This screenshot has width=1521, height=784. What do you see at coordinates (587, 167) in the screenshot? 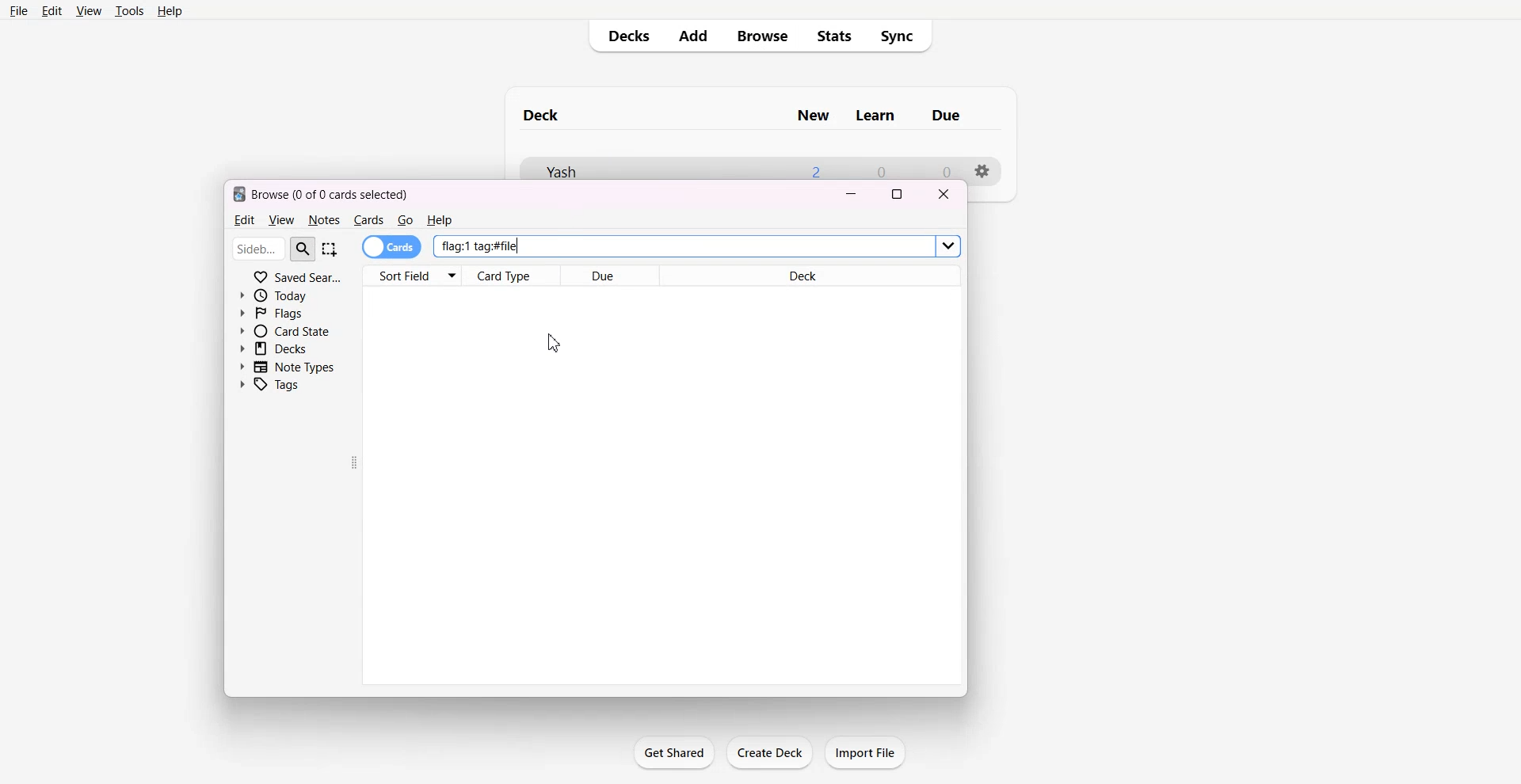
I see `yash` at bounding box center [587, 167].